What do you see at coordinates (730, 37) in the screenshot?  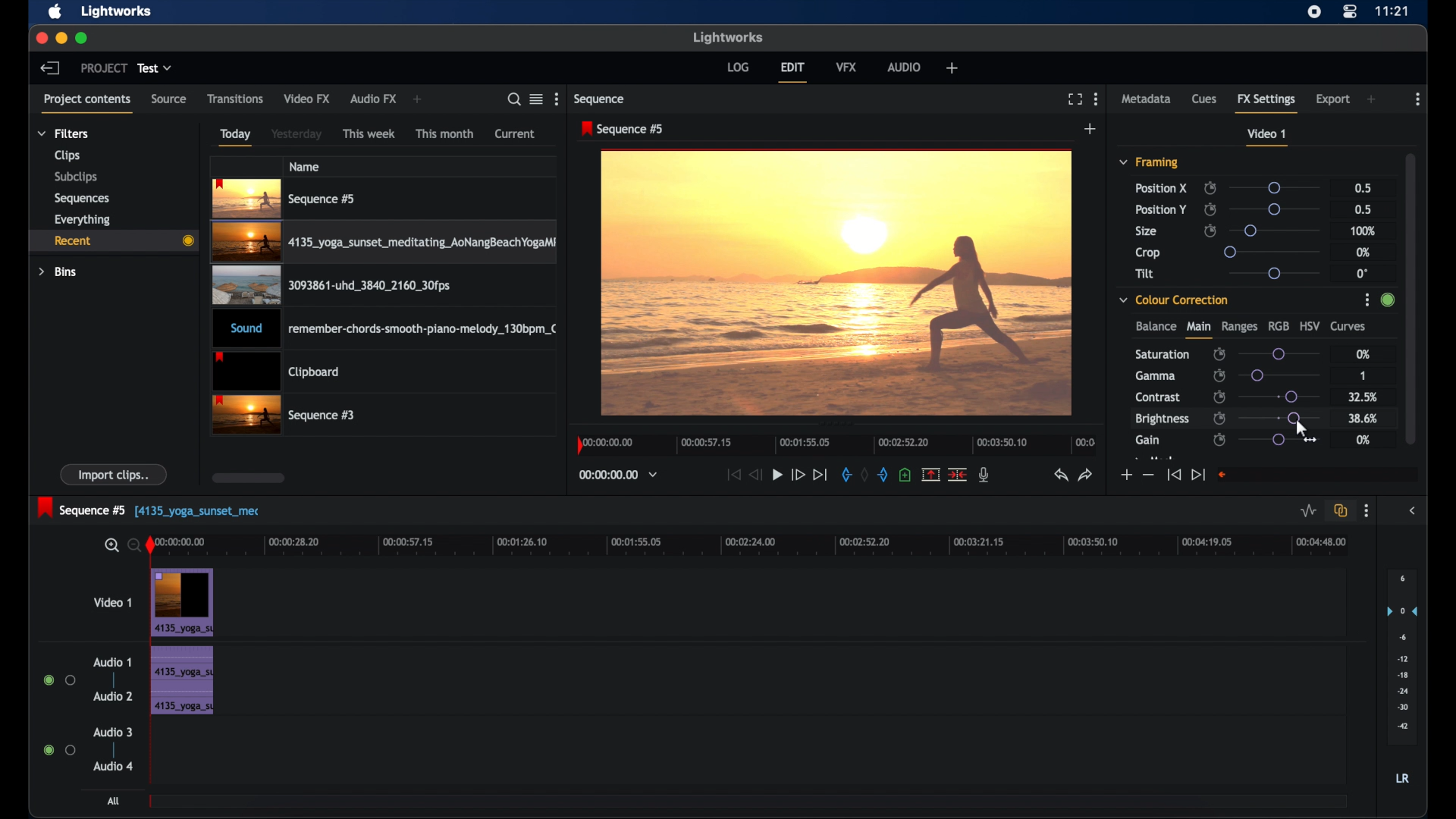 I see `lightworks` at bounding box center [730, 37].